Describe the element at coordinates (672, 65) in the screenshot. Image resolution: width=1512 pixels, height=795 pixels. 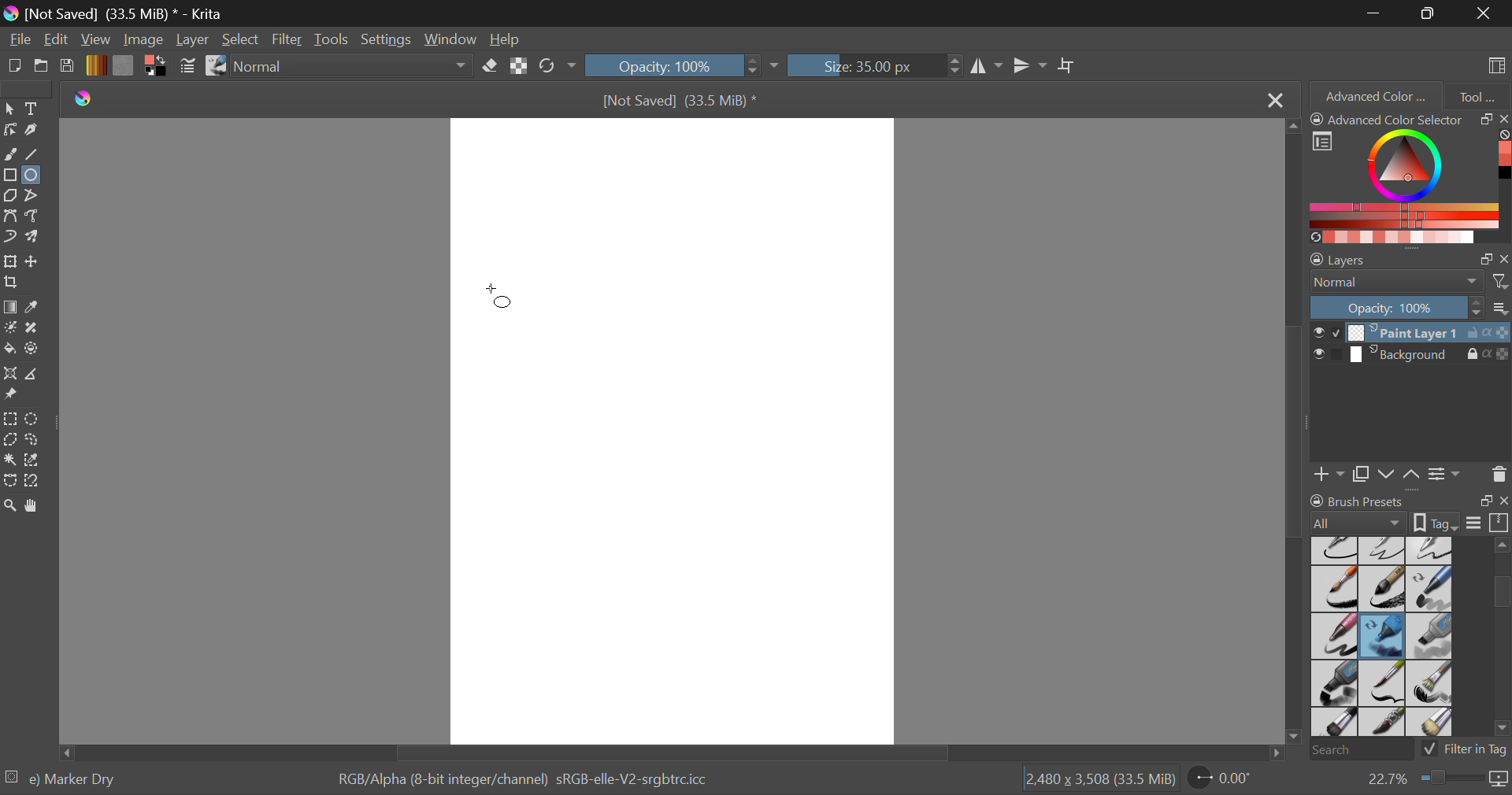
I see `Opacity 100%` at that location.